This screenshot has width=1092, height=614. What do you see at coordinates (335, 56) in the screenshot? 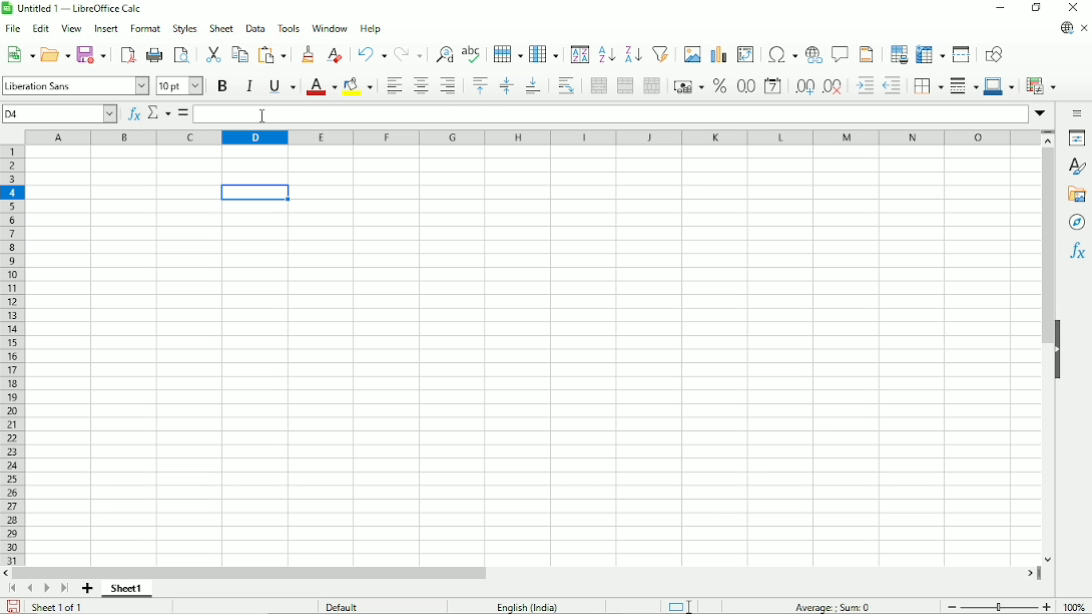
I see `Clear direct formatting` at bounding box center [335, 56].